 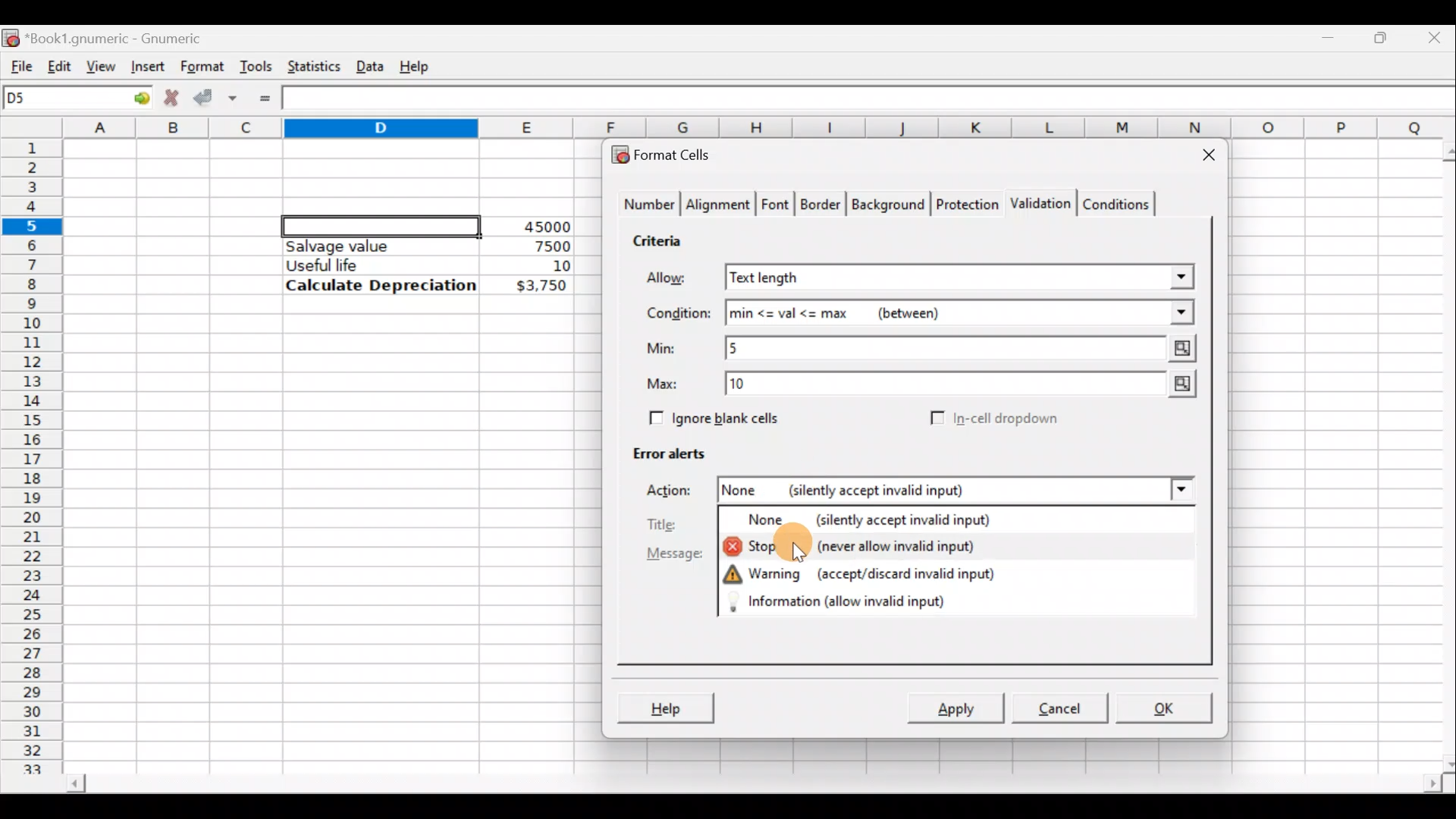 What do you see at coordinates (59, 99) in the screenshot?
I see `Cell name D5` at bounding box center [59, 99].